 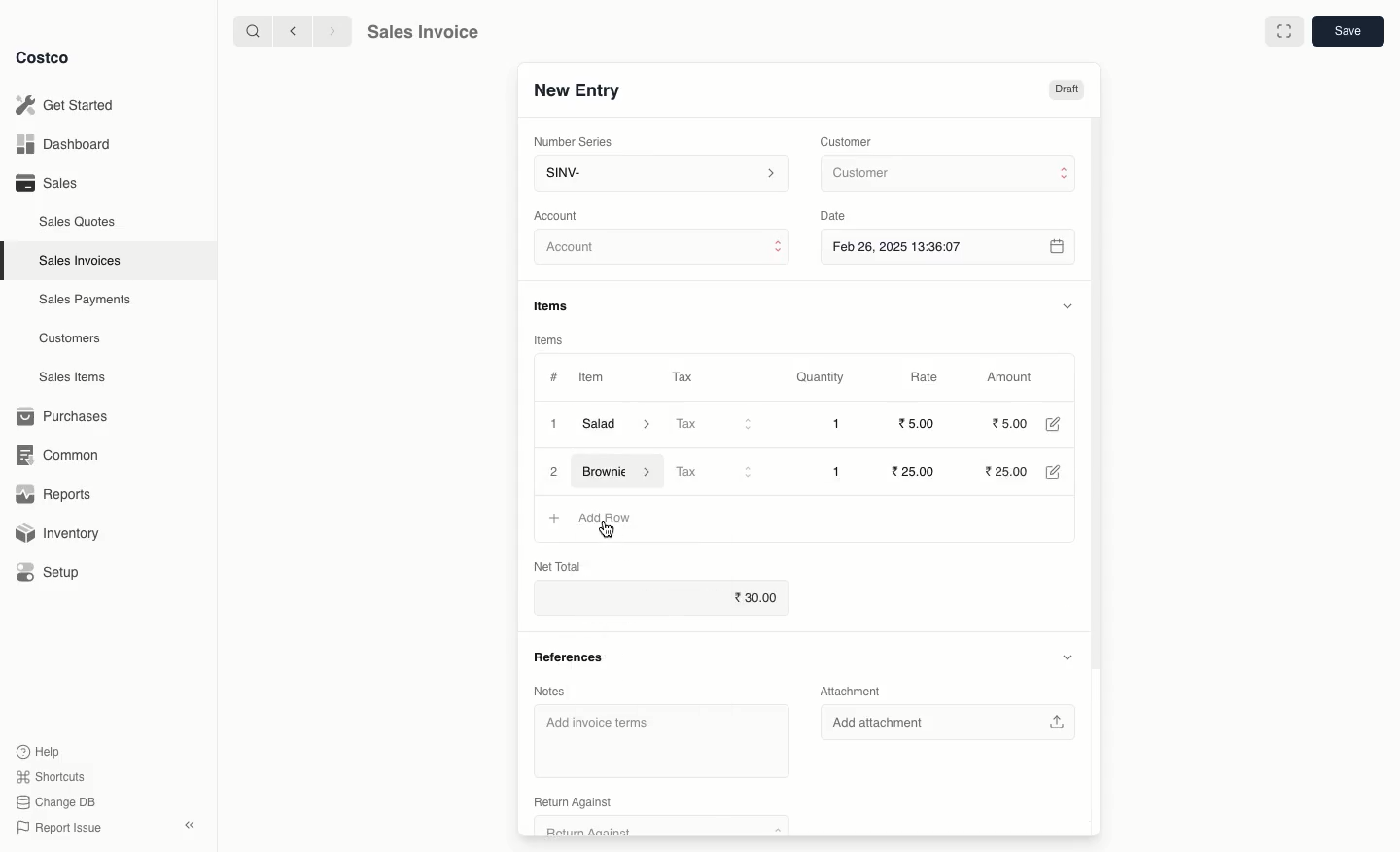 What do you see at coordinates (570, 142) in the screenshot?
I see `‘Number Series` at bounding box center [570, 142].